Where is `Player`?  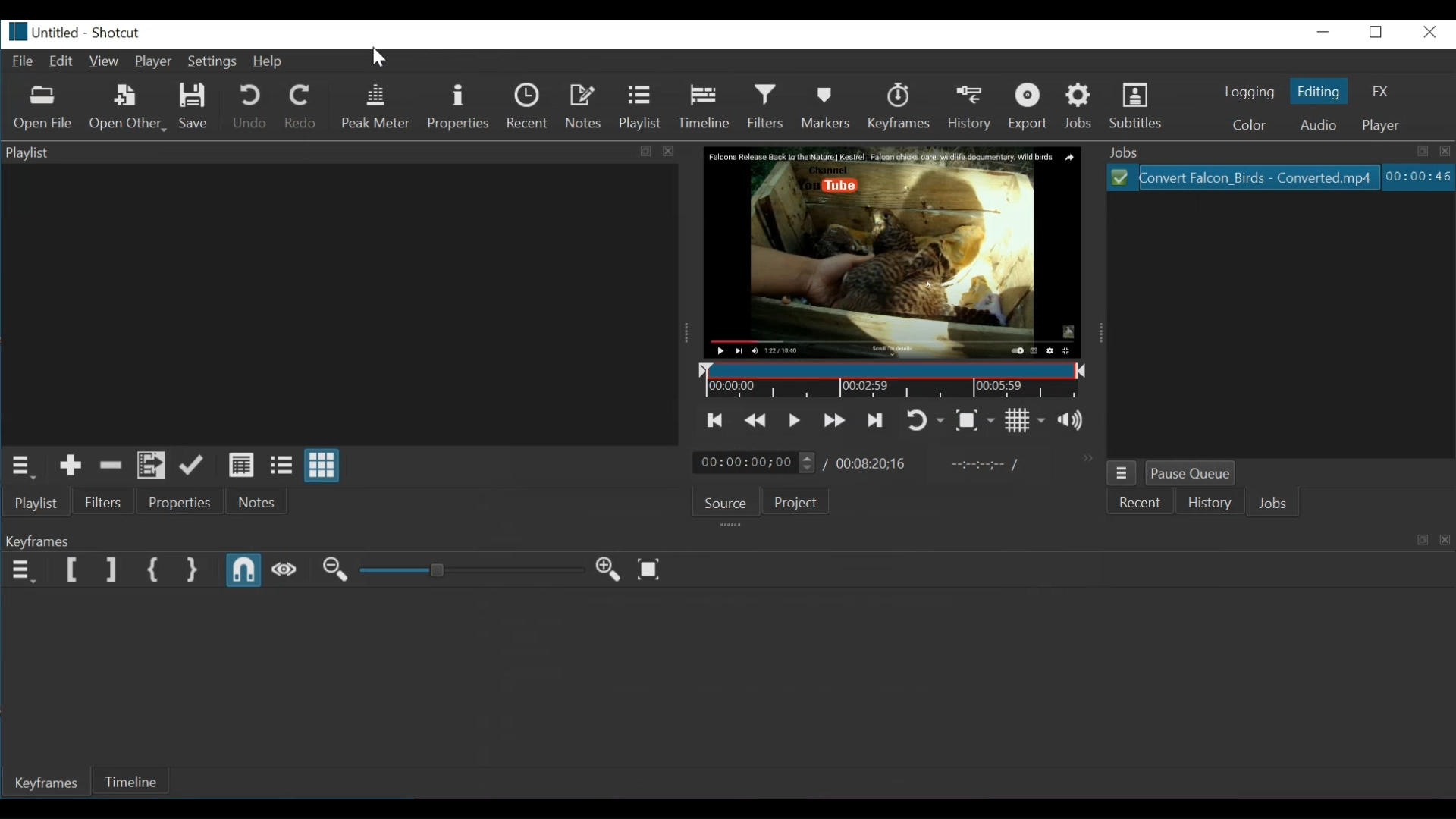
Player is located at coordinates (1382, 126).